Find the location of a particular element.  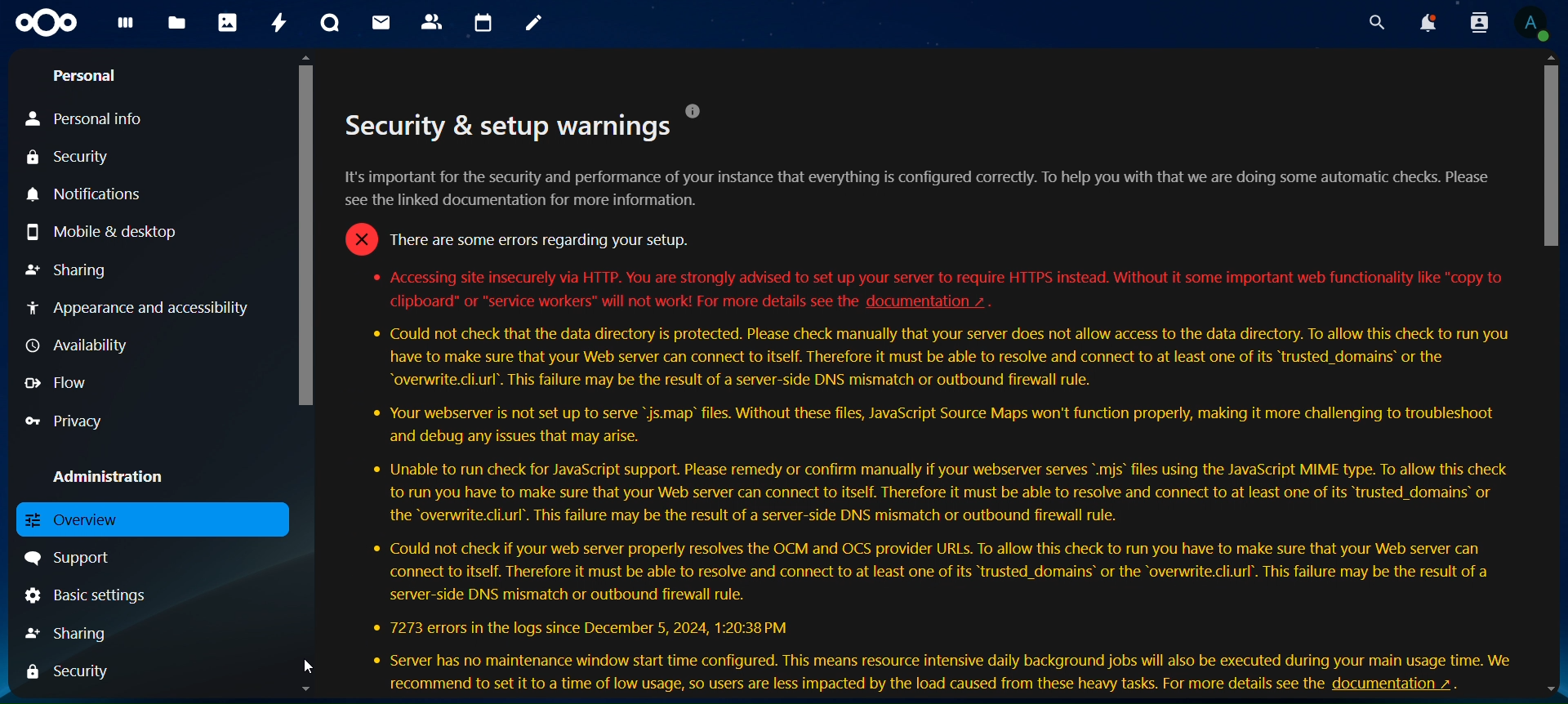

security is located at coordinates (72, 668).